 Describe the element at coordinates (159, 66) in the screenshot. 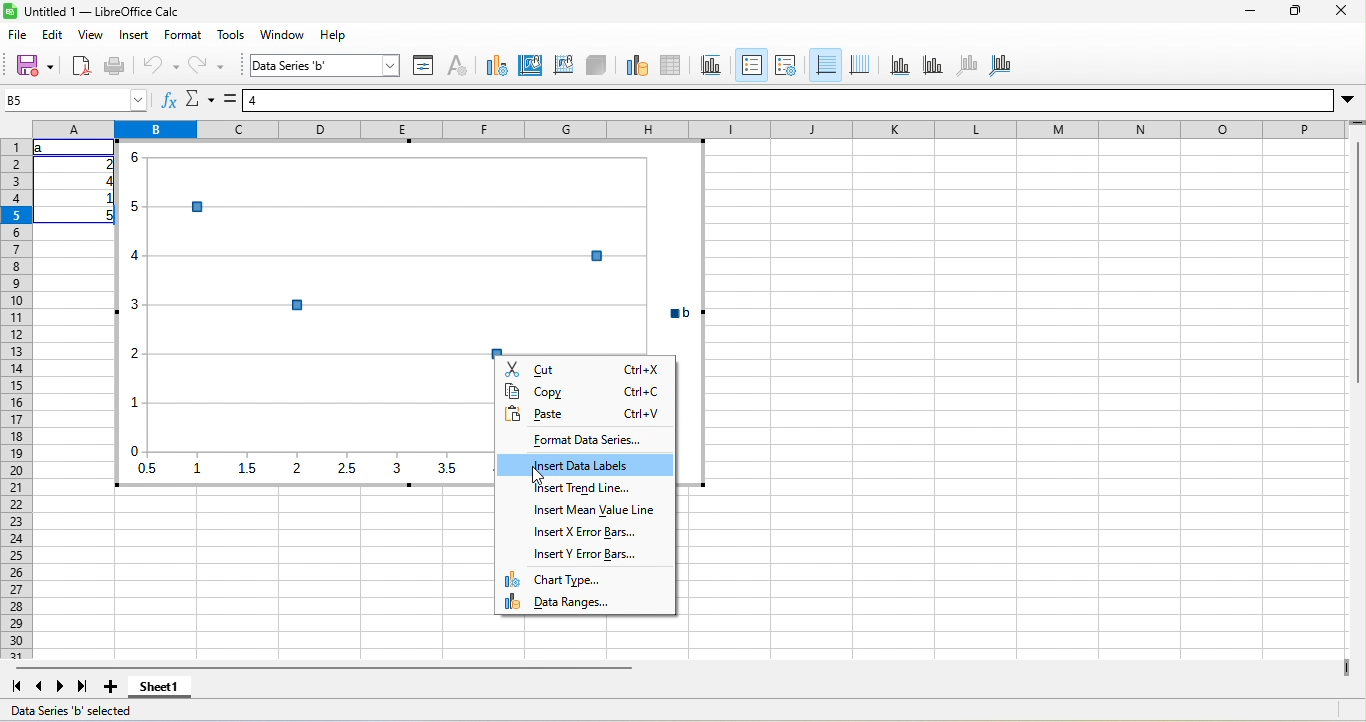

I see `undo` at that location.